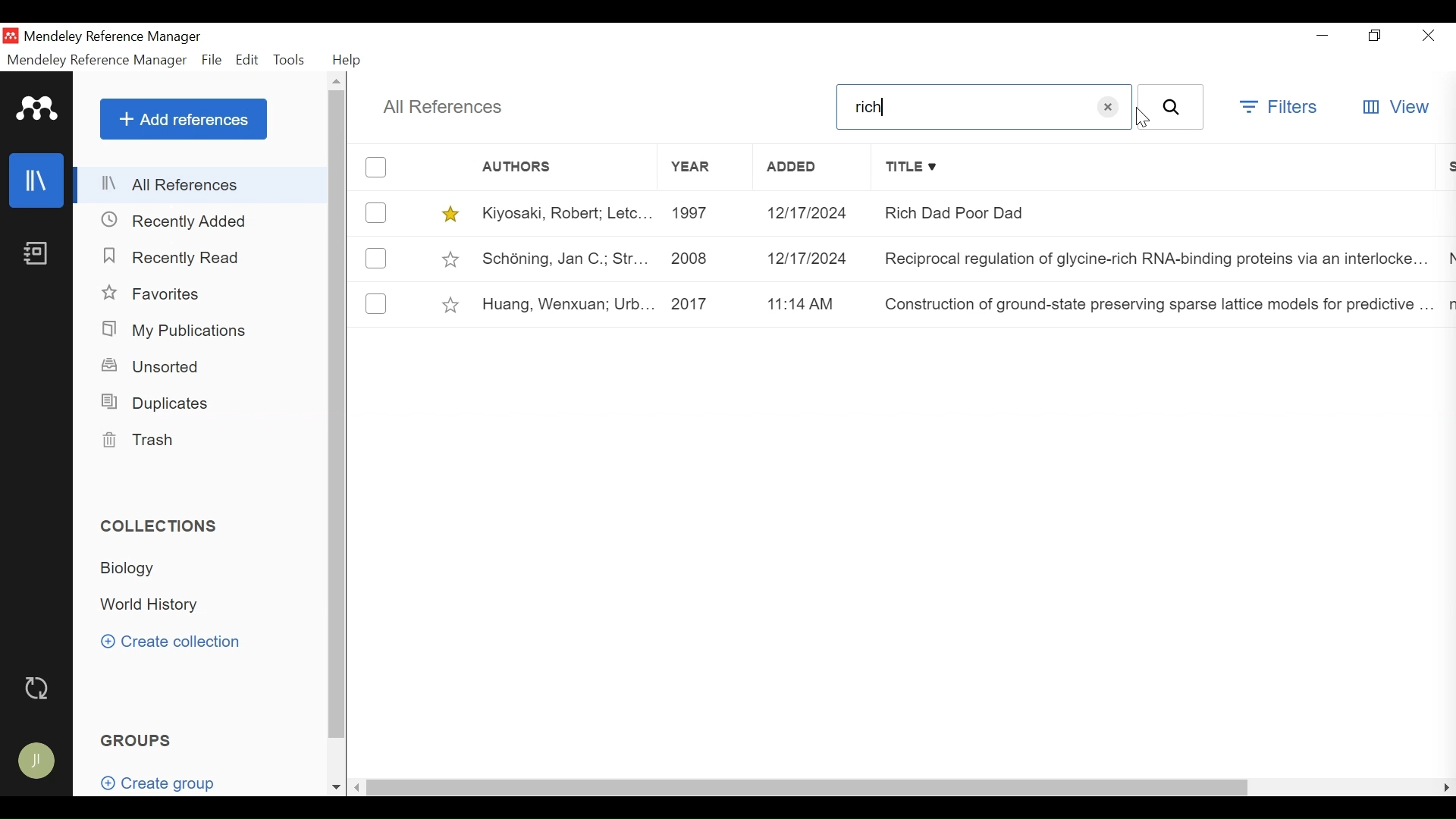 The image size is (1456, 819). Describe the element at coordinates (158, 401) in the screenshot. I see `Duplicates` at that location.